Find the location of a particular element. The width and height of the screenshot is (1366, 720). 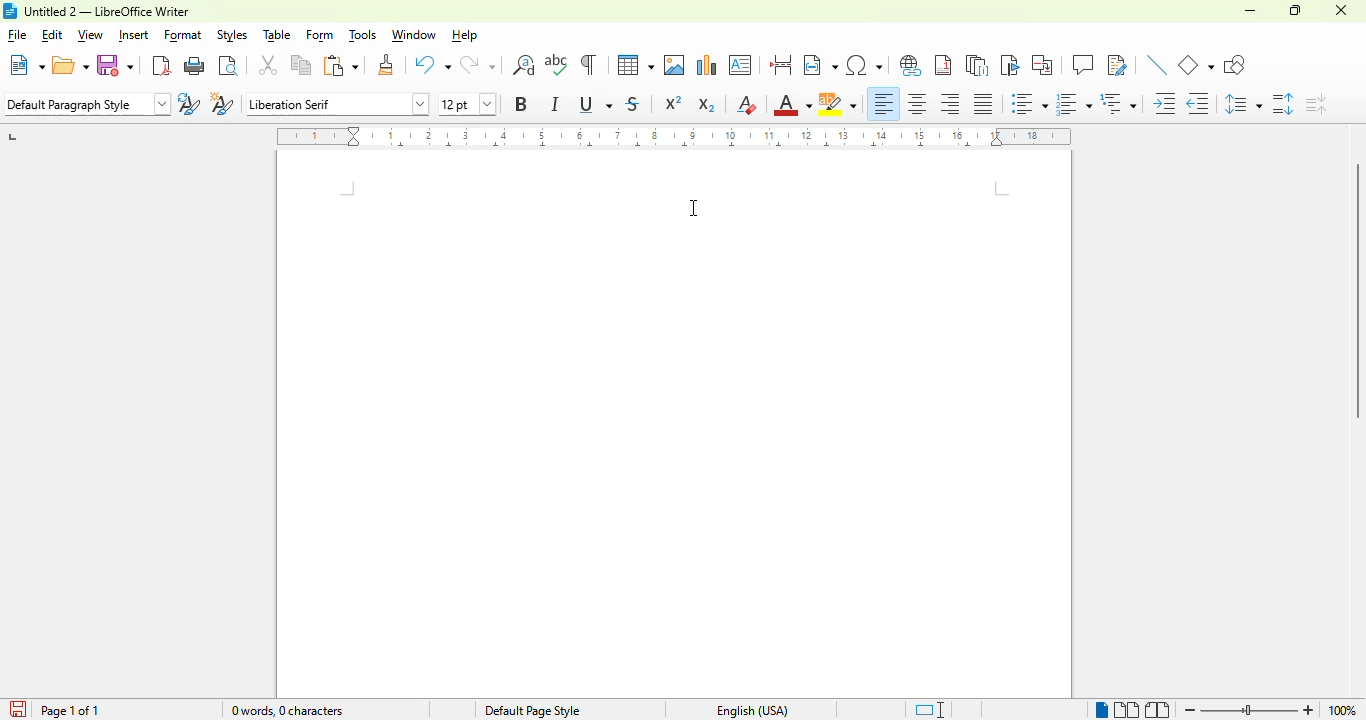

redo is located at coordinates (477, 65).